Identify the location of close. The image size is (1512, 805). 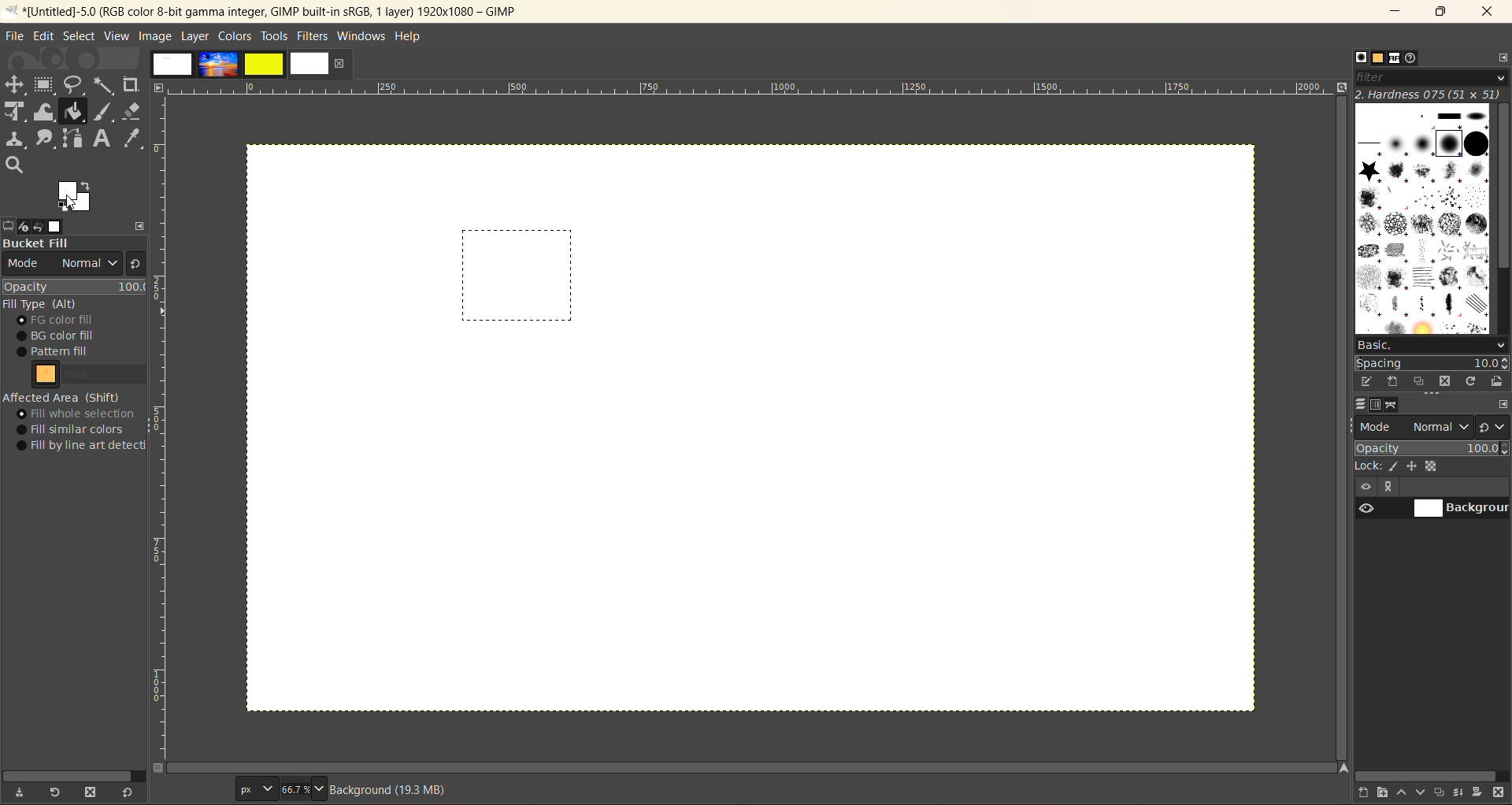
(340, 65).